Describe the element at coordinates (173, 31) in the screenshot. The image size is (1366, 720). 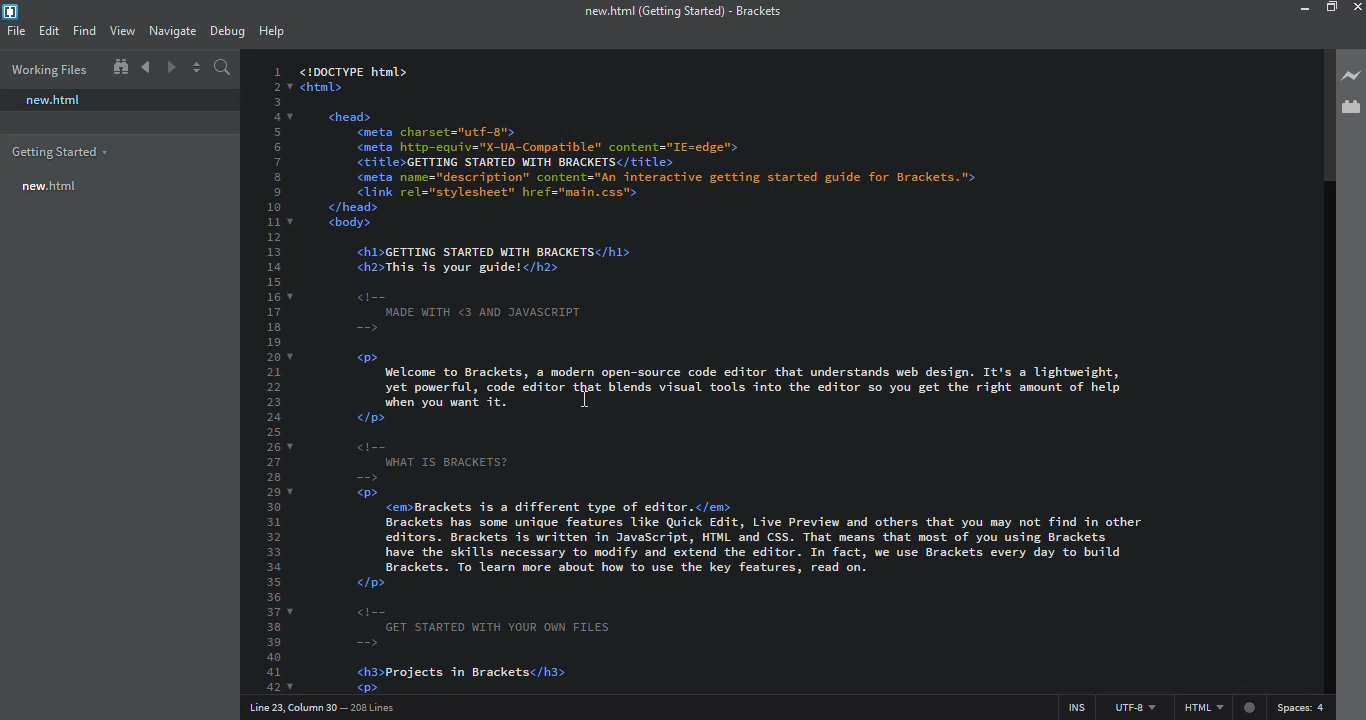
I see `navigate` at that location.